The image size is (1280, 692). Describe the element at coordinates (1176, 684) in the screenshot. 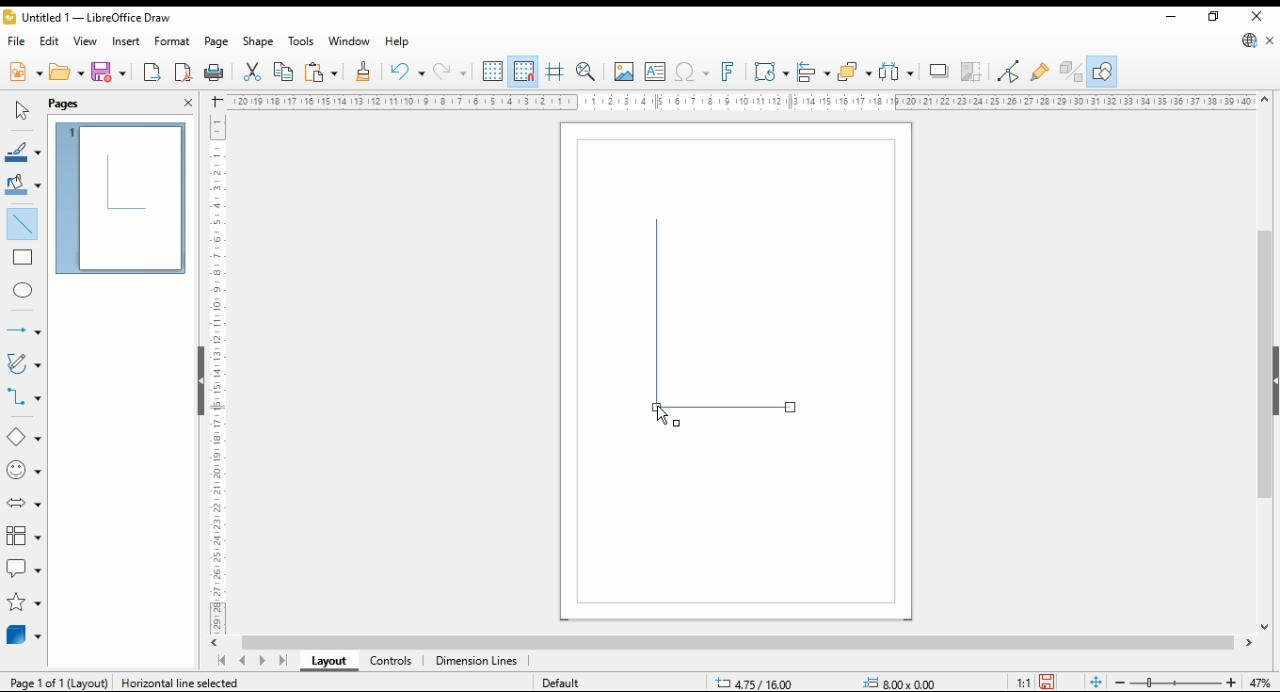

I see `zoom slider` at that location.